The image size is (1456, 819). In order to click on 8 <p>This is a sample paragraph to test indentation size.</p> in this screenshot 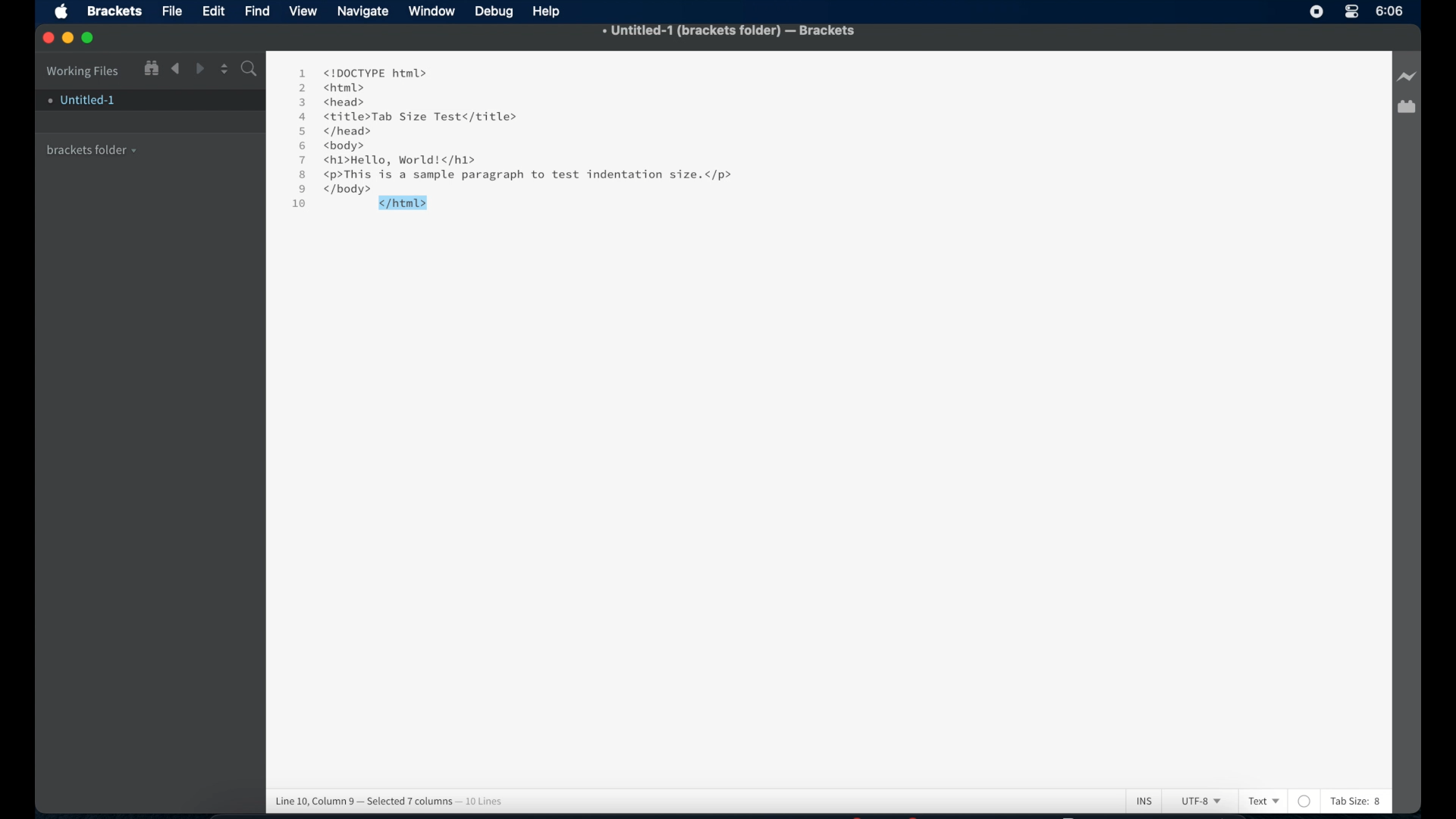, I will do `click(519, 175)`.